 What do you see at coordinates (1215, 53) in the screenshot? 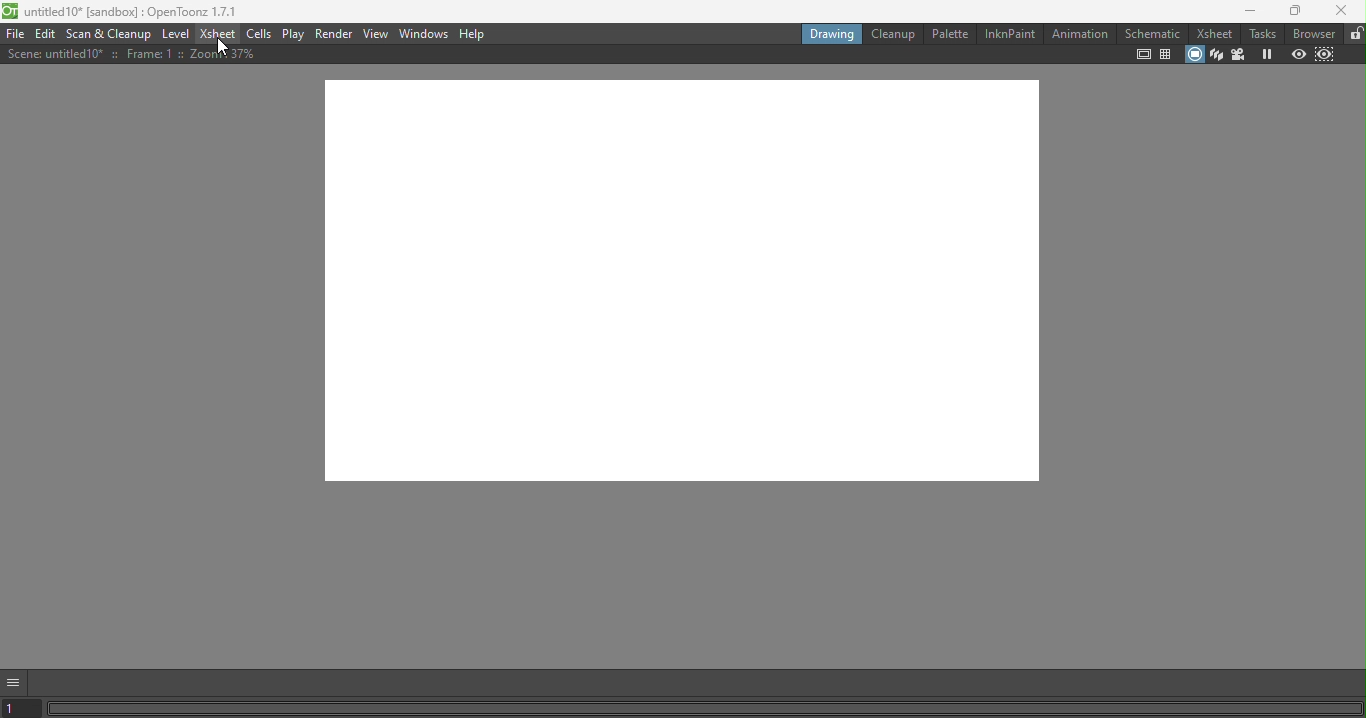
I see `3D view` at bounding box center [1215, 53].